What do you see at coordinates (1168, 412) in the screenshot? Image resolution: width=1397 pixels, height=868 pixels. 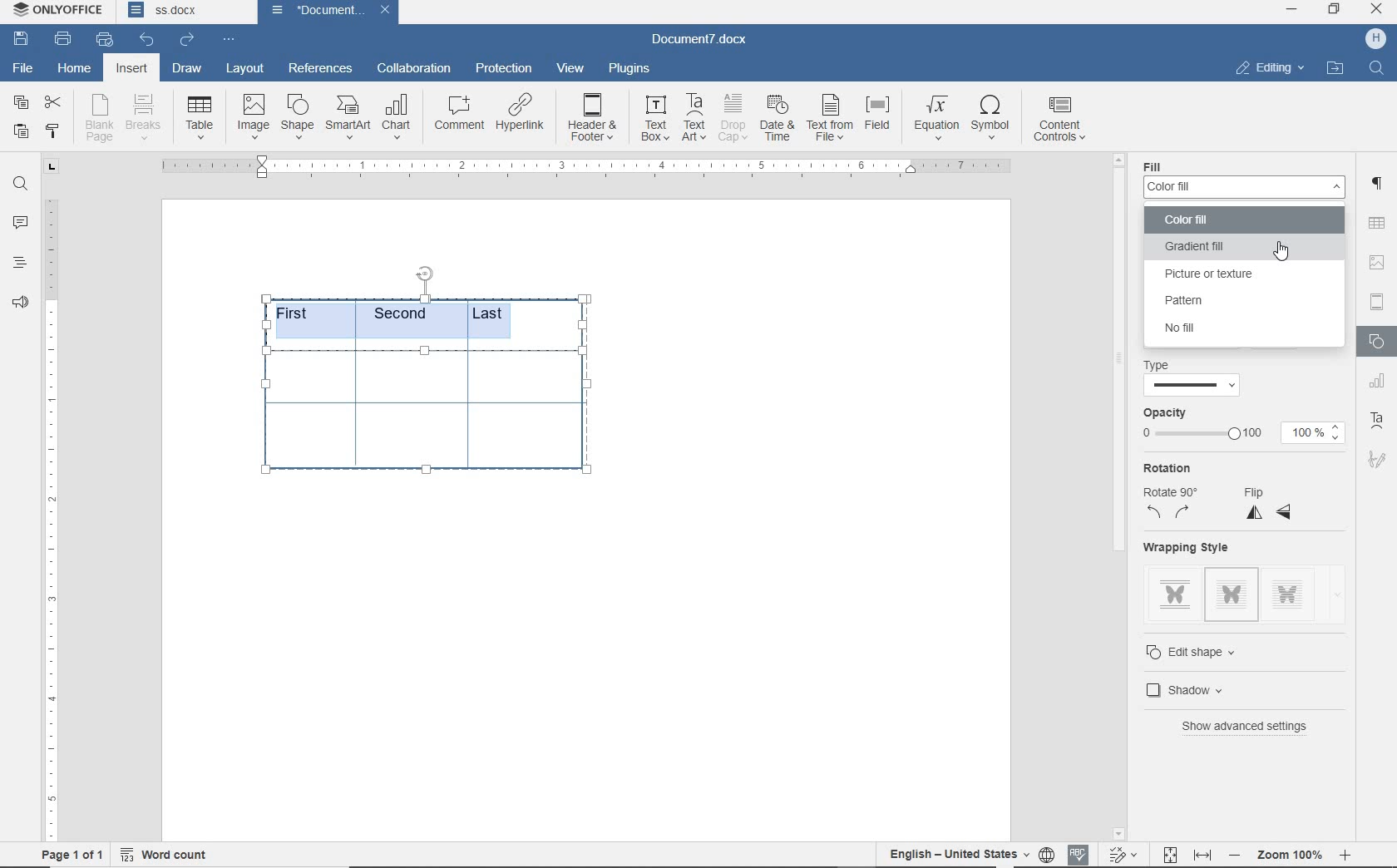 I see `opacity` at bounding box center [1168, 412].